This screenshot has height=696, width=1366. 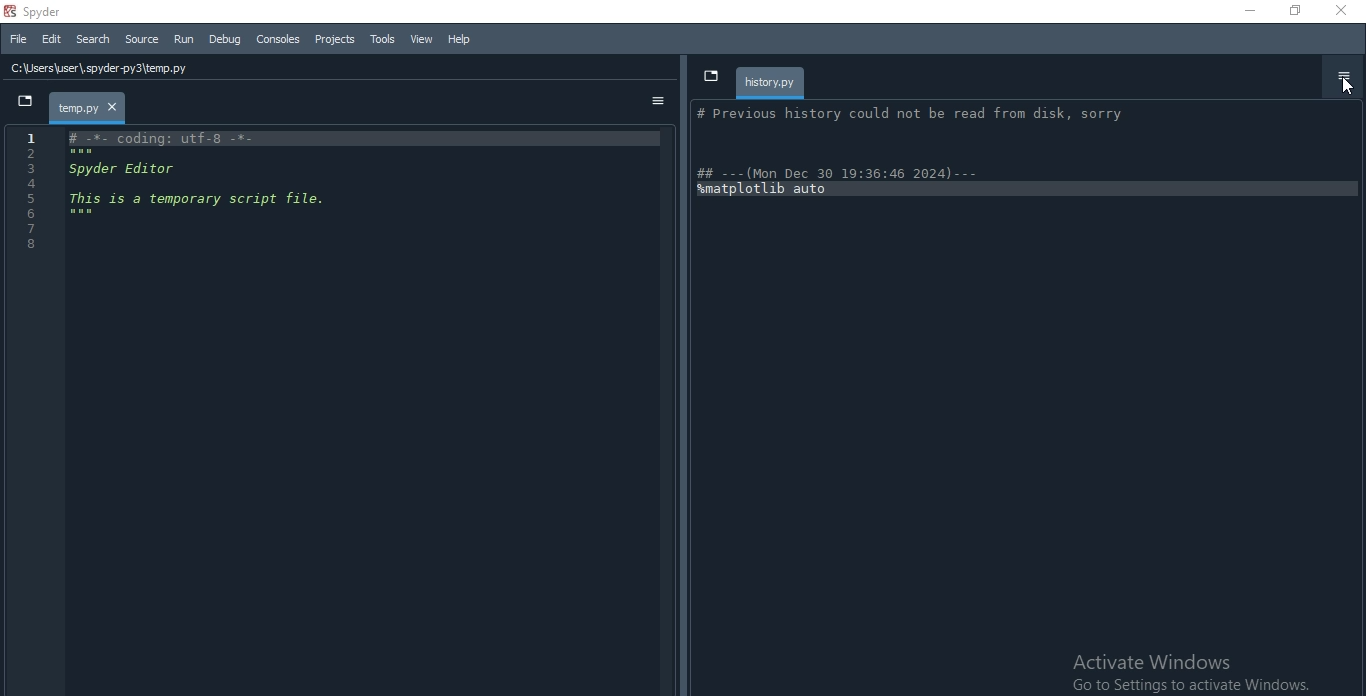 I want to click on View, so click(x=422, y=39).